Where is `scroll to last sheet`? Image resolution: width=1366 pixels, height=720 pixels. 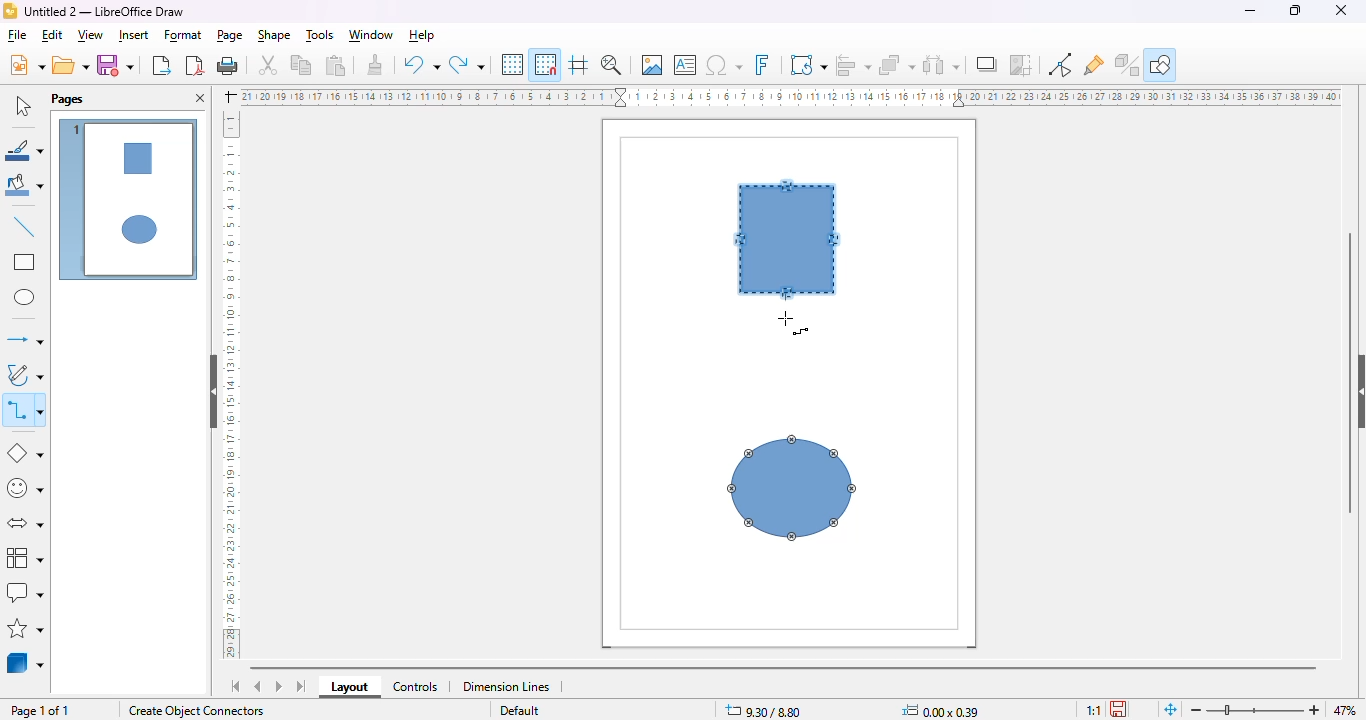
scroll to last sheet is located at coordinates (302, 687).